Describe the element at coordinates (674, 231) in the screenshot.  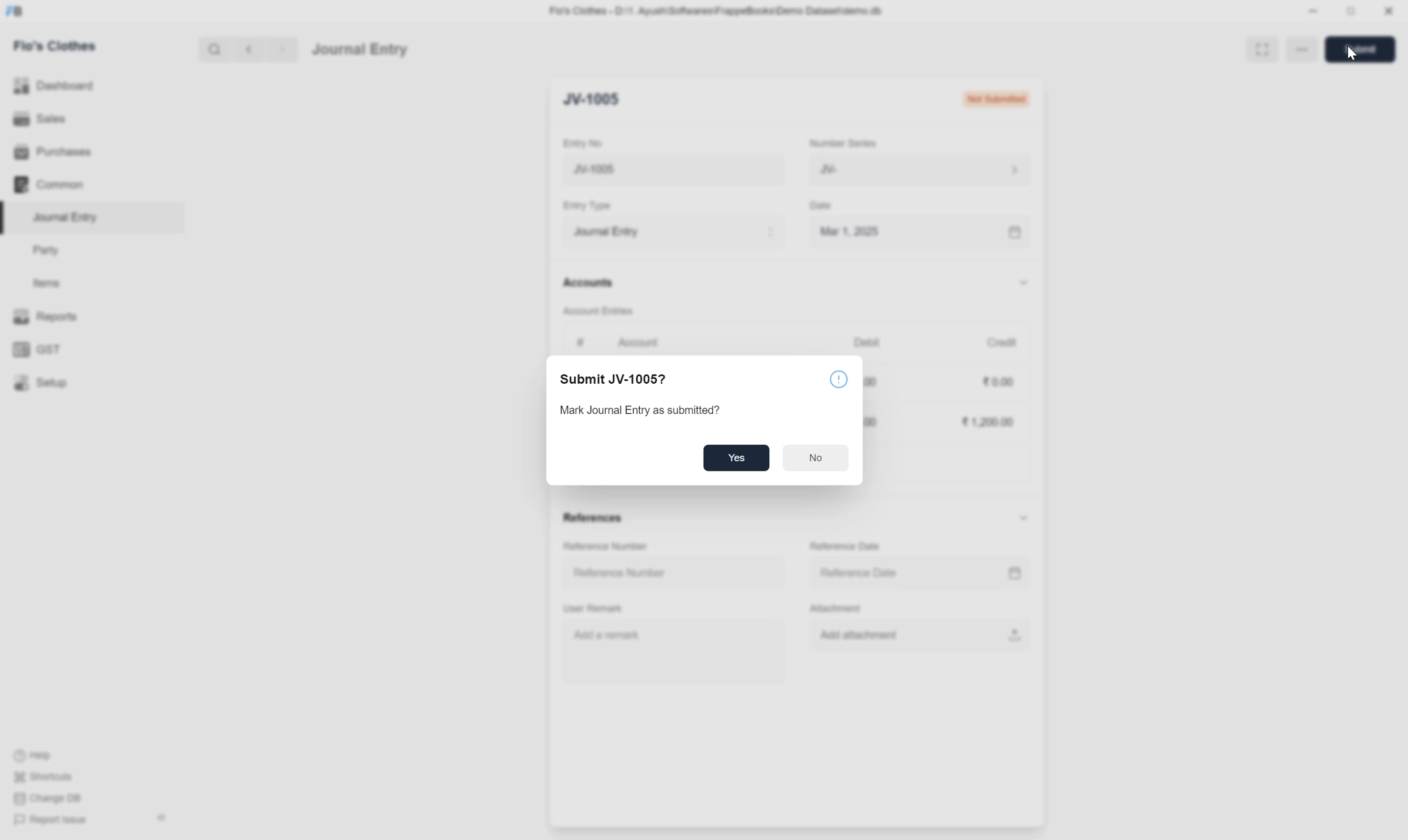
I see `Journal Entry` at that location.